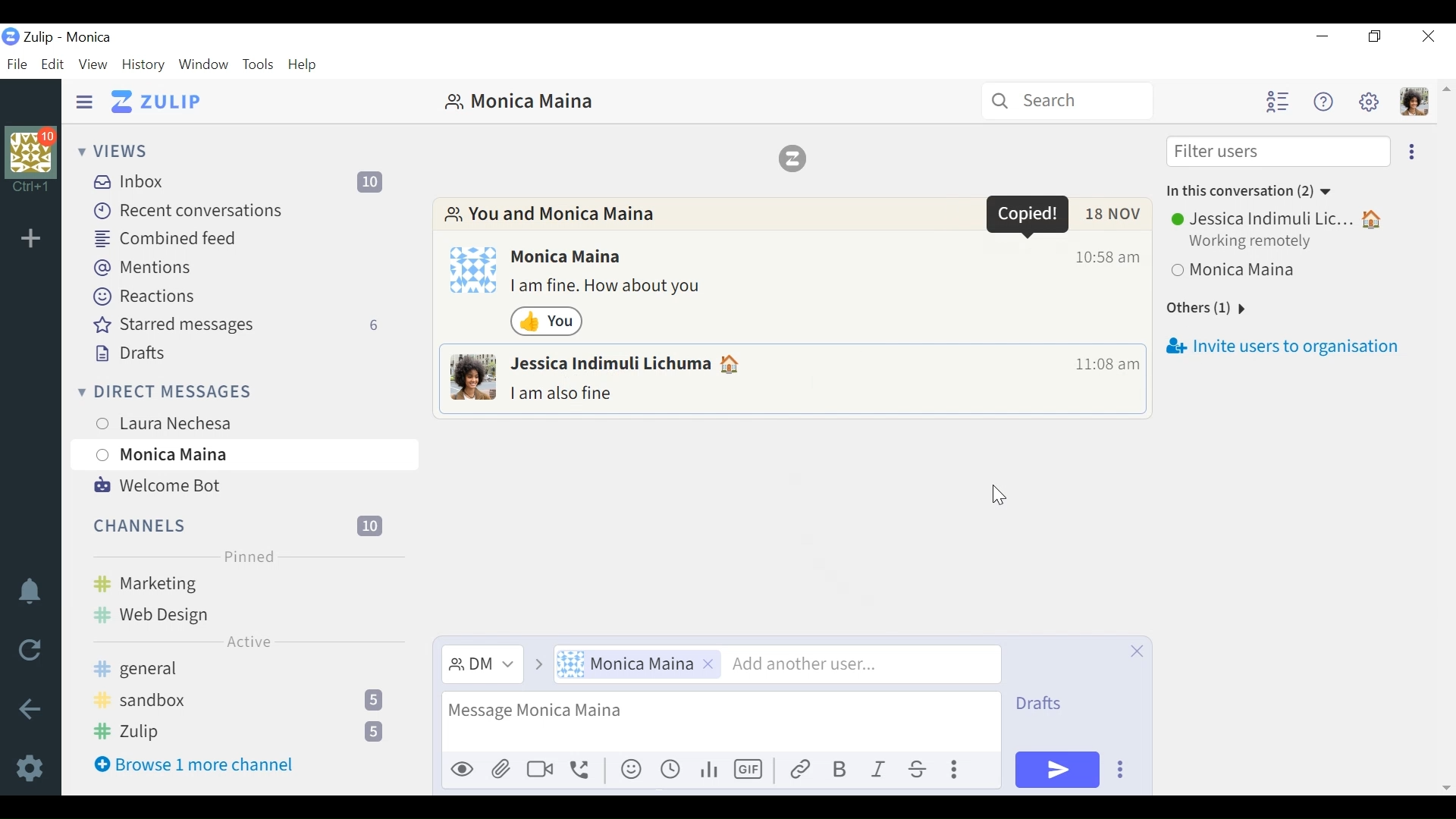  What do you see at coordinates (485, 665) in the screenshot?
I see `DM` at bounding box center [485, 665].